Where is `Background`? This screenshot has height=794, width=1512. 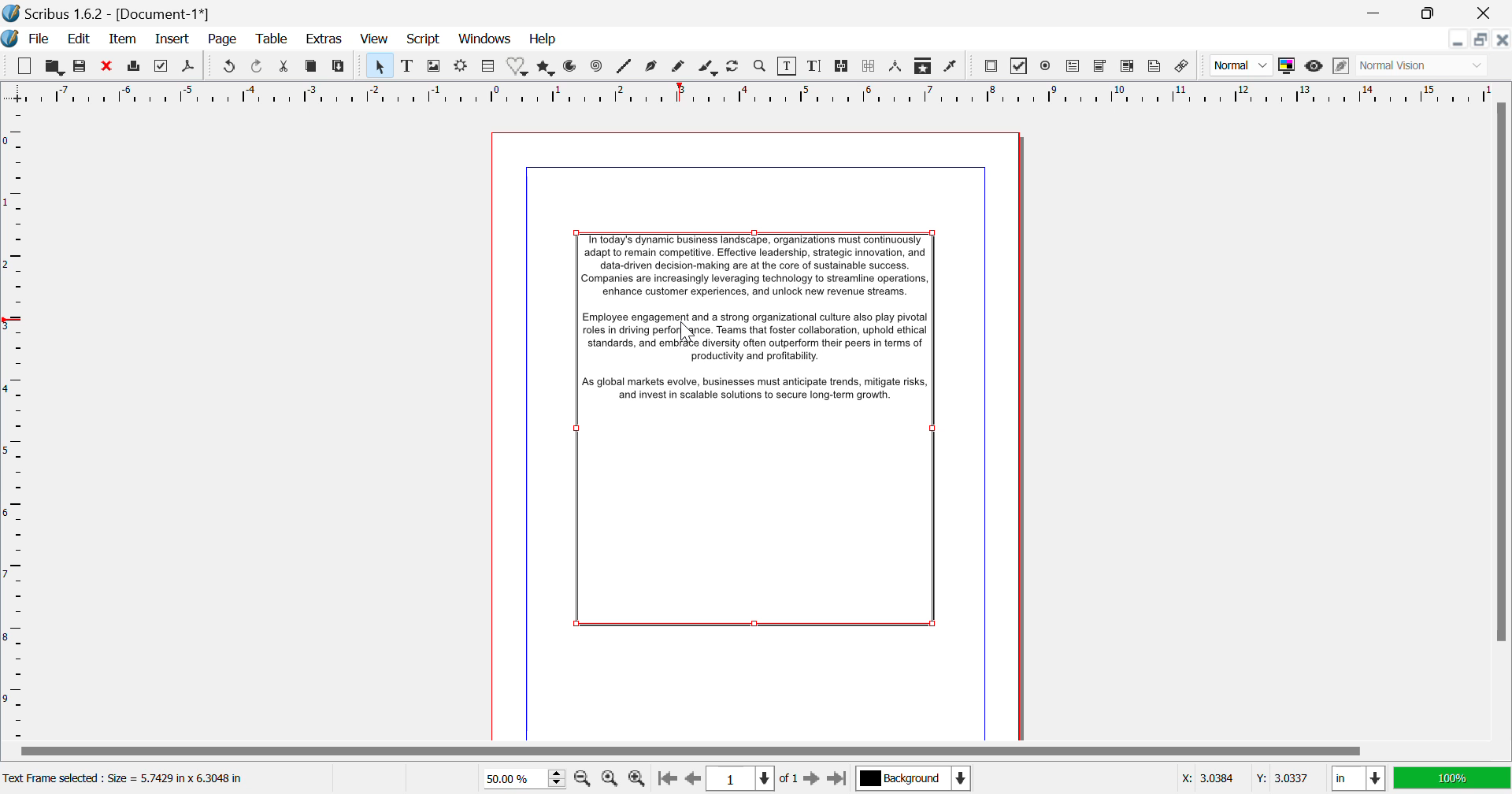 Background is located at coordinates (912, 777).